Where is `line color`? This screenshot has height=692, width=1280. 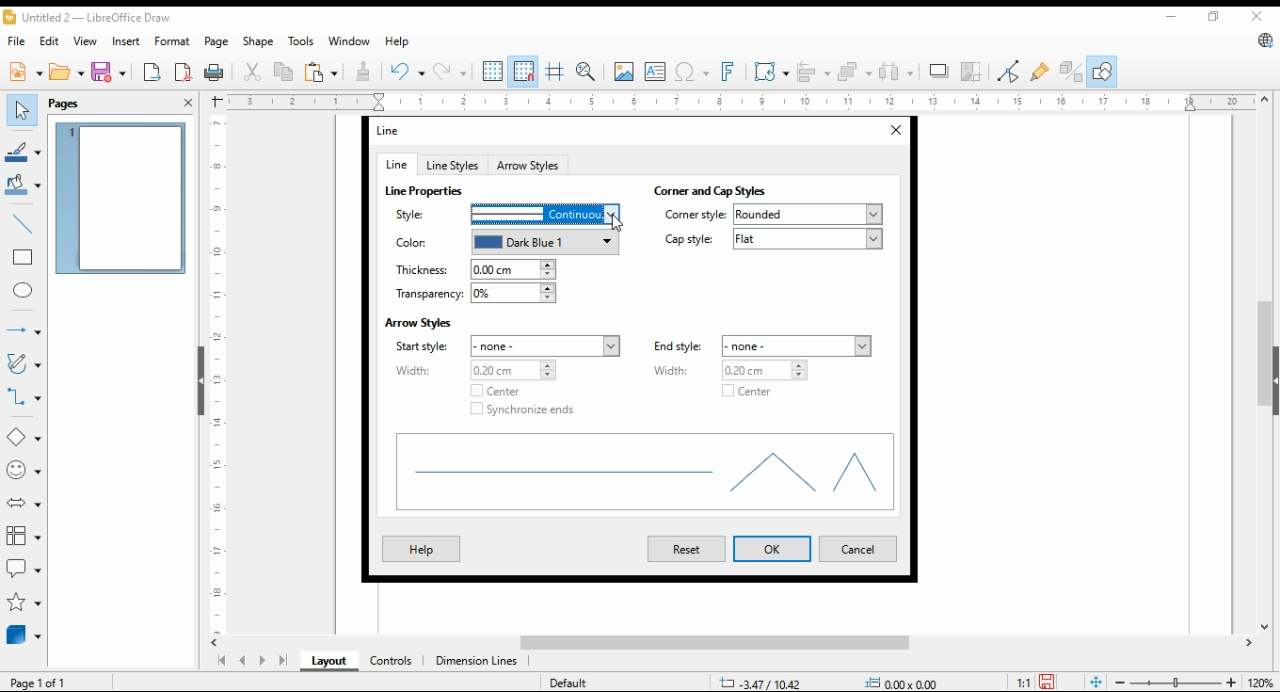 line color is located at coordinates (23, 150).